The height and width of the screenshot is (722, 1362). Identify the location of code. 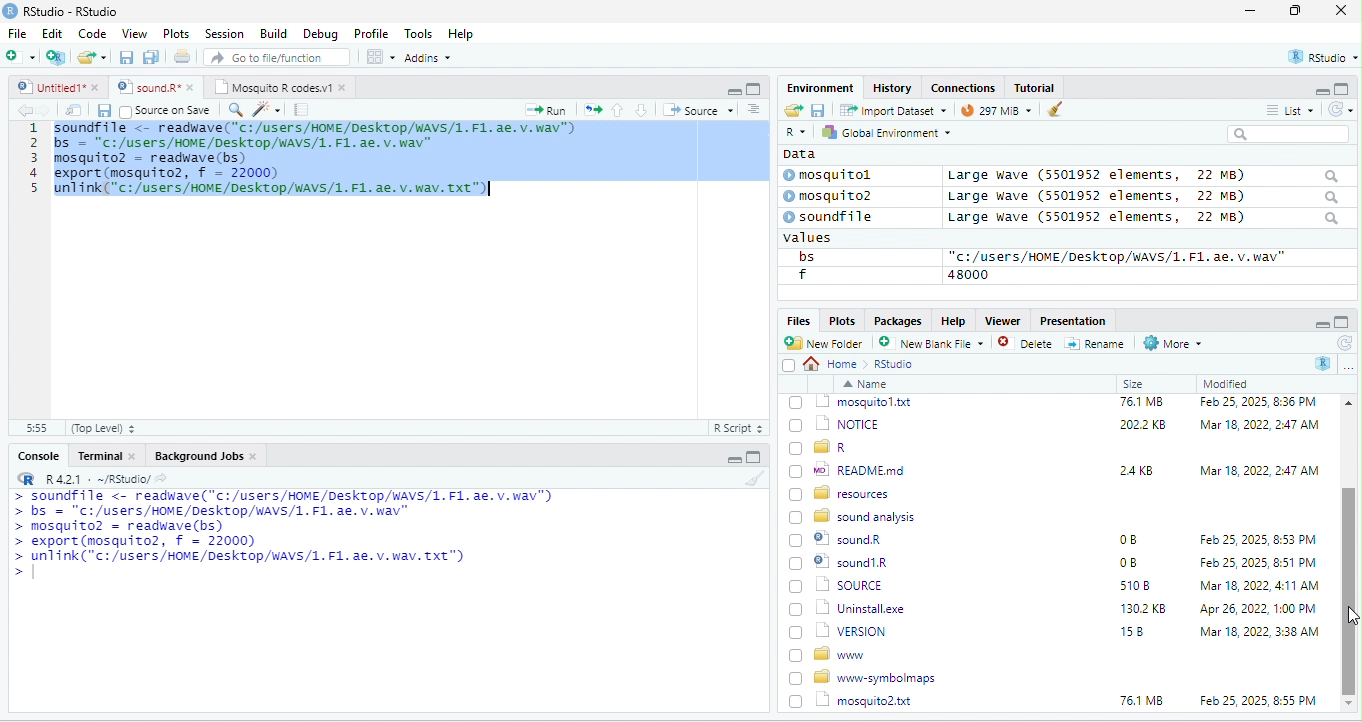
(320, 161).